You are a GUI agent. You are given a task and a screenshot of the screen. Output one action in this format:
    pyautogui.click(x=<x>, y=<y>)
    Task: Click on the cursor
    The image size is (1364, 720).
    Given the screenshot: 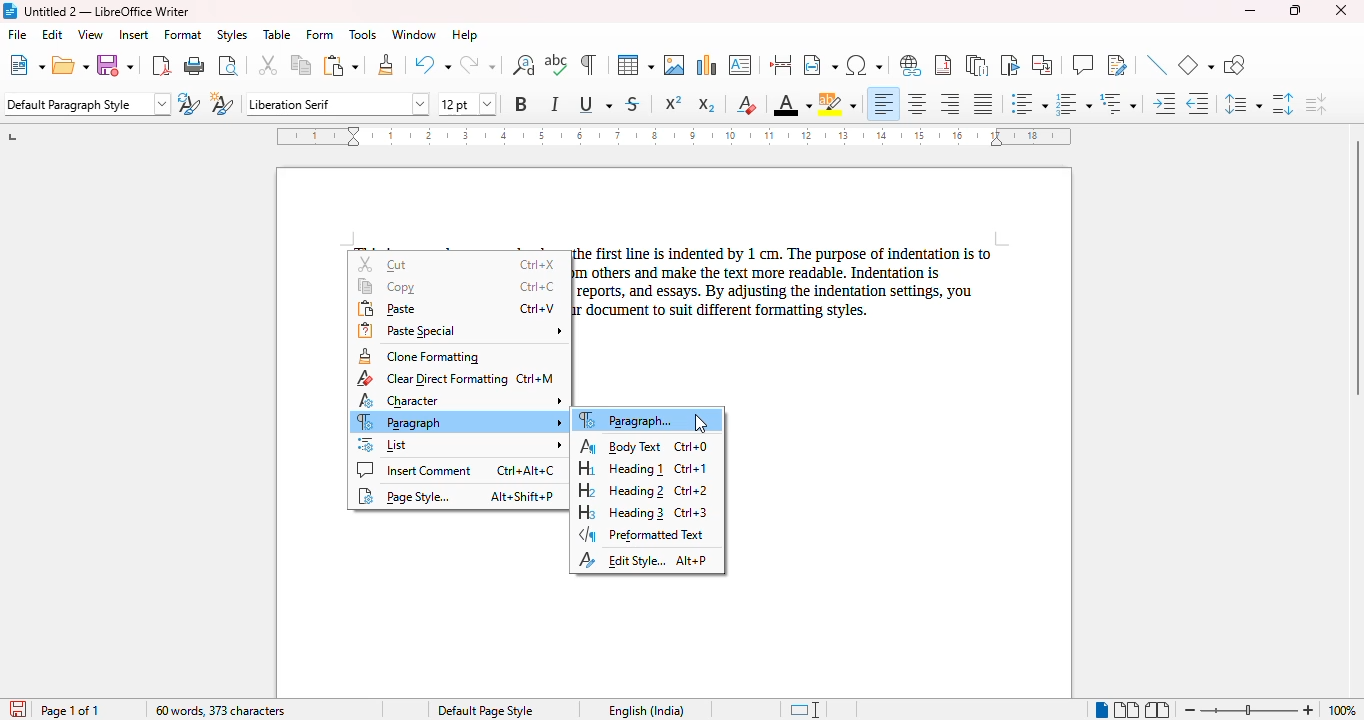 What is the action you would take?
    pyautogui.click(x=700, y=423)
    